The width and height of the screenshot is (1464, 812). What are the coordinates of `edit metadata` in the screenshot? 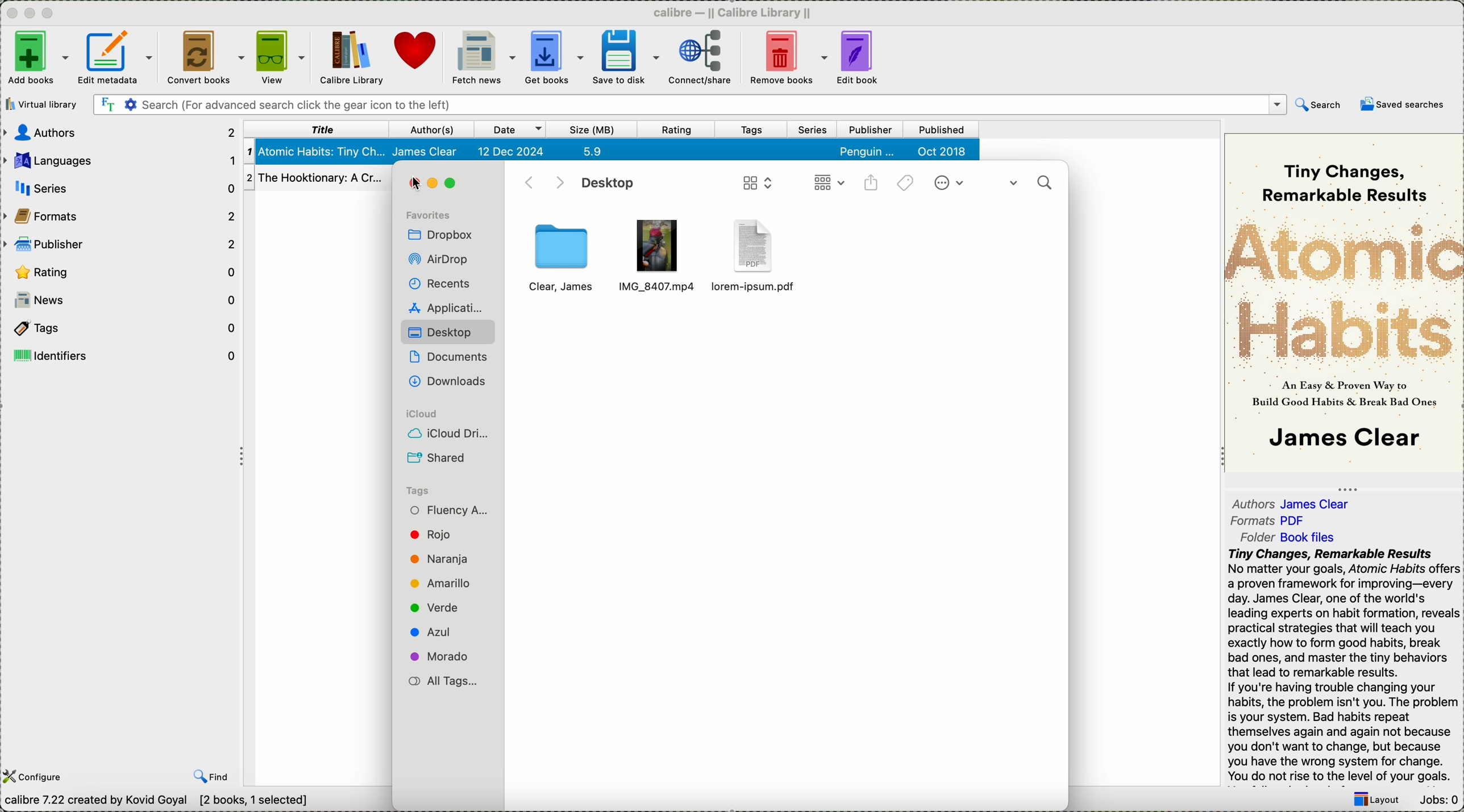 It's located at (118, 56).